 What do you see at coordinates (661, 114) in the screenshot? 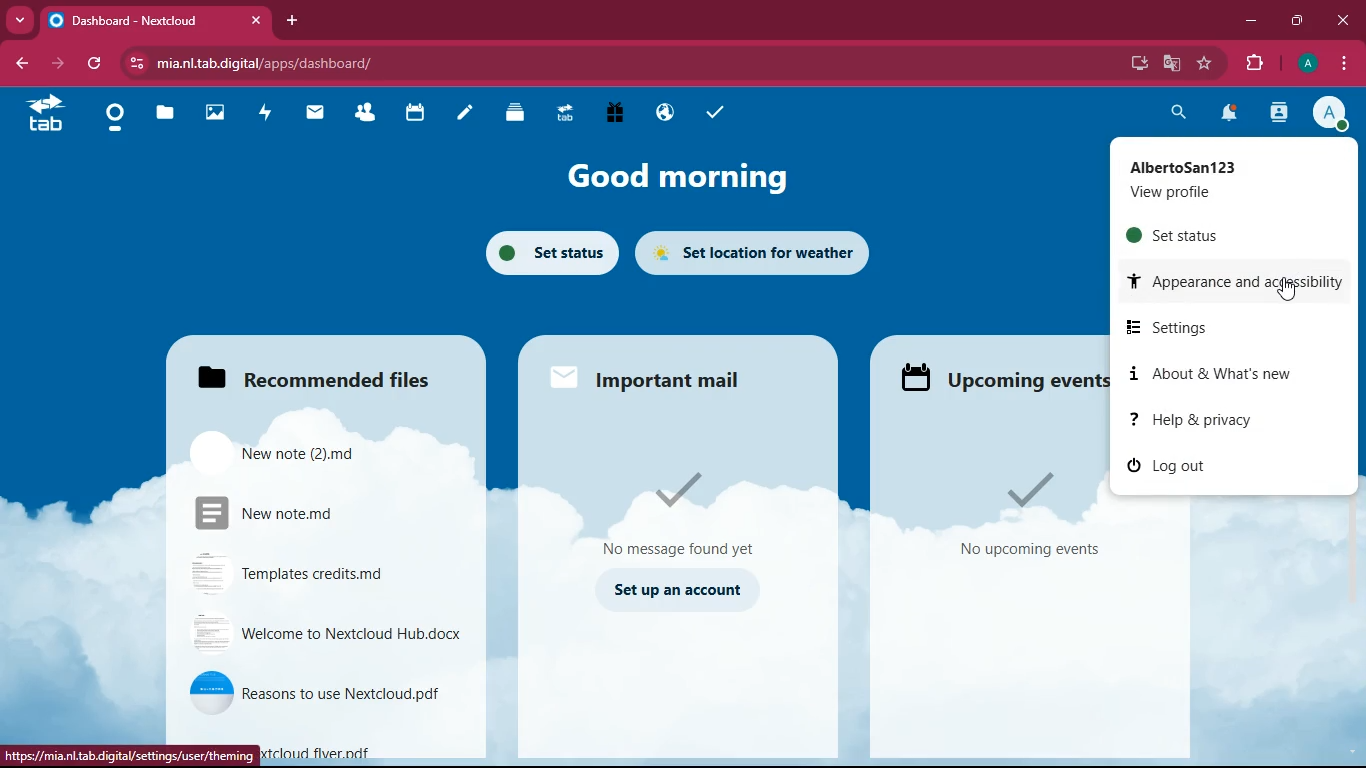
I see `public` at bounding box center [661, 114].